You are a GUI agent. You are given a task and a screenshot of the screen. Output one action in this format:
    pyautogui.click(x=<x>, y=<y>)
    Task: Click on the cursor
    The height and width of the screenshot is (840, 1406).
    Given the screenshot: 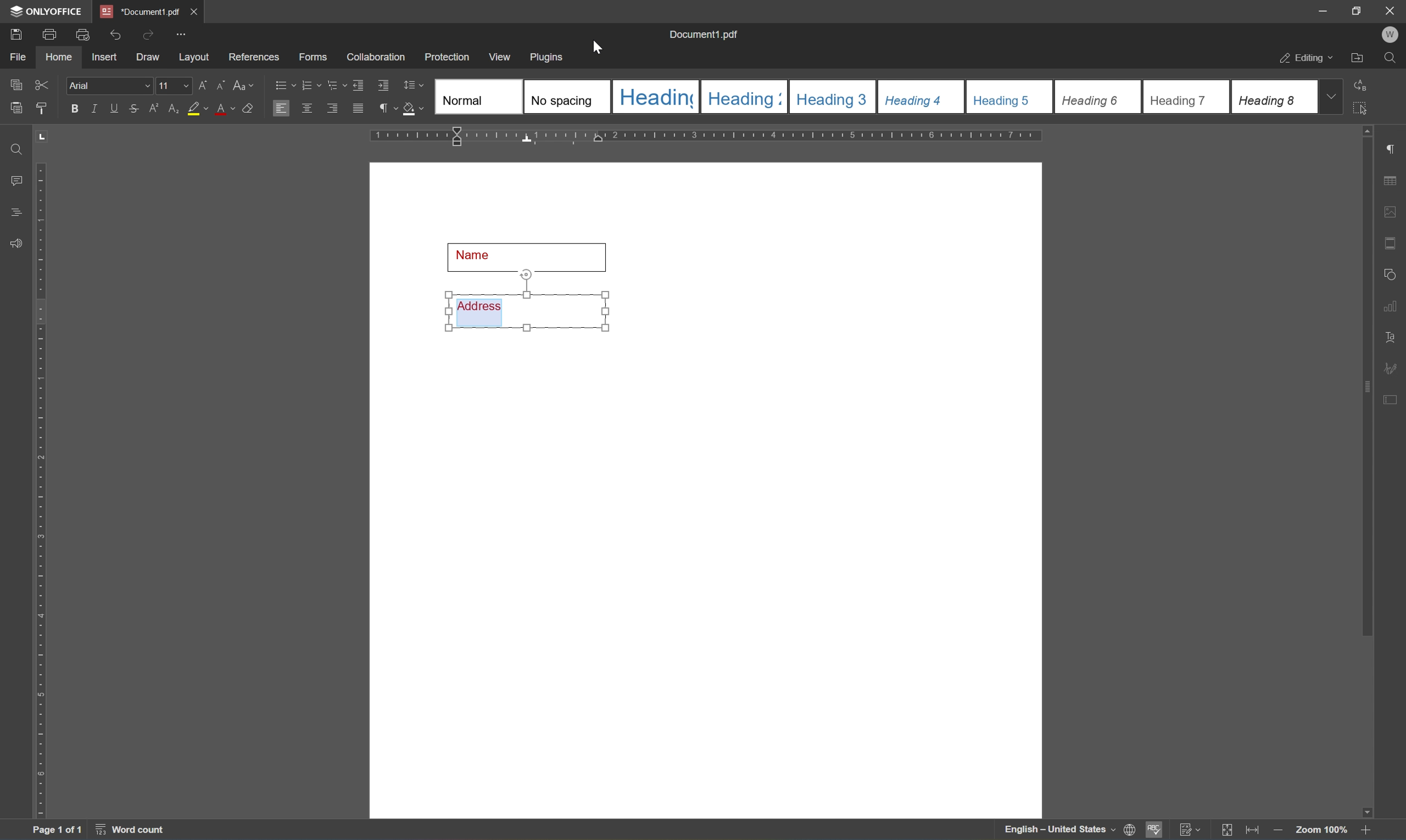 What is the action you would take?
    pyautogui.click(x=599, y=49)
    